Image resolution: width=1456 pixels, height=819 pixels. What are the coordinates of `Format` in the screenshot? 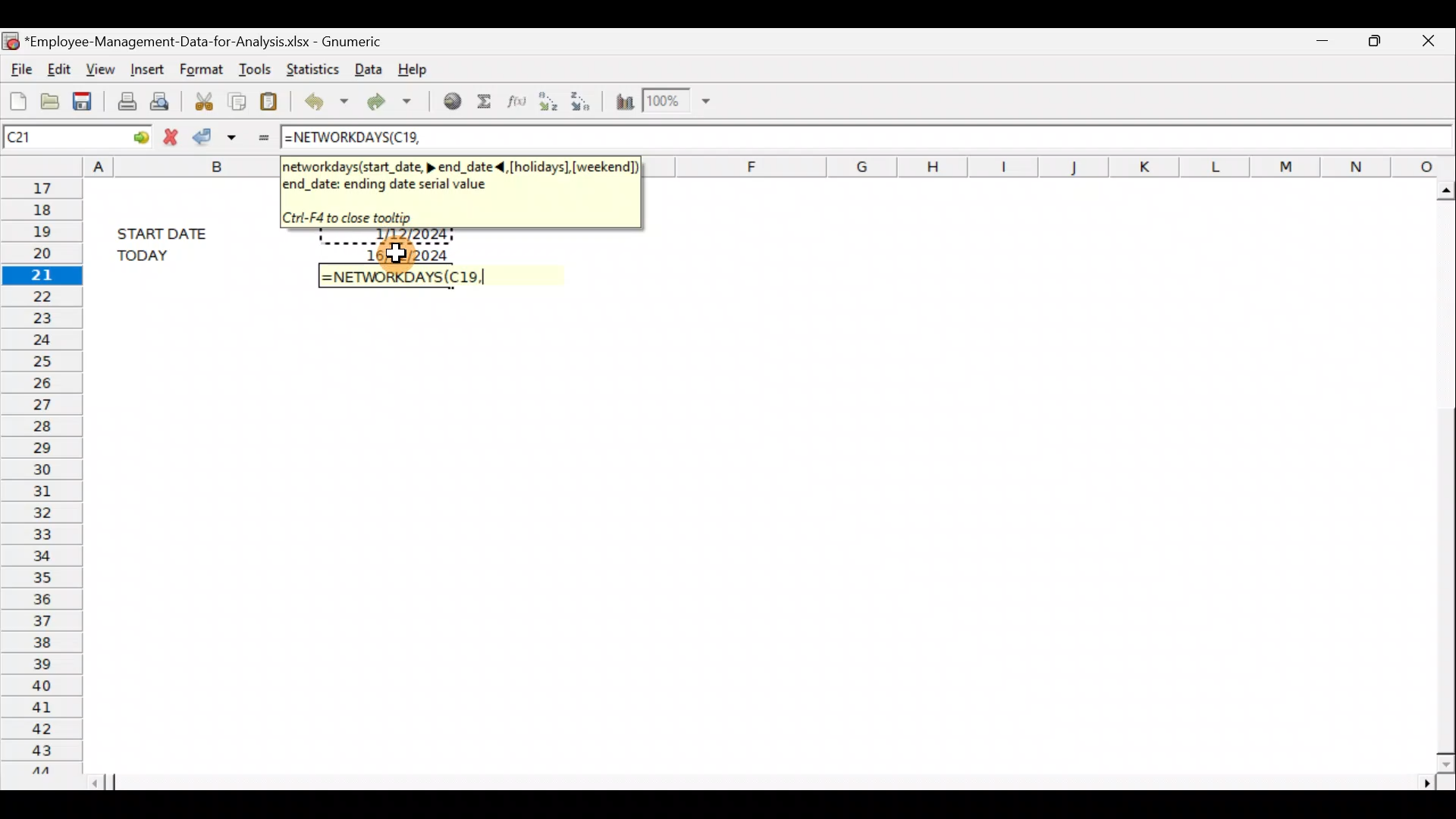 It's located at (203, 67).